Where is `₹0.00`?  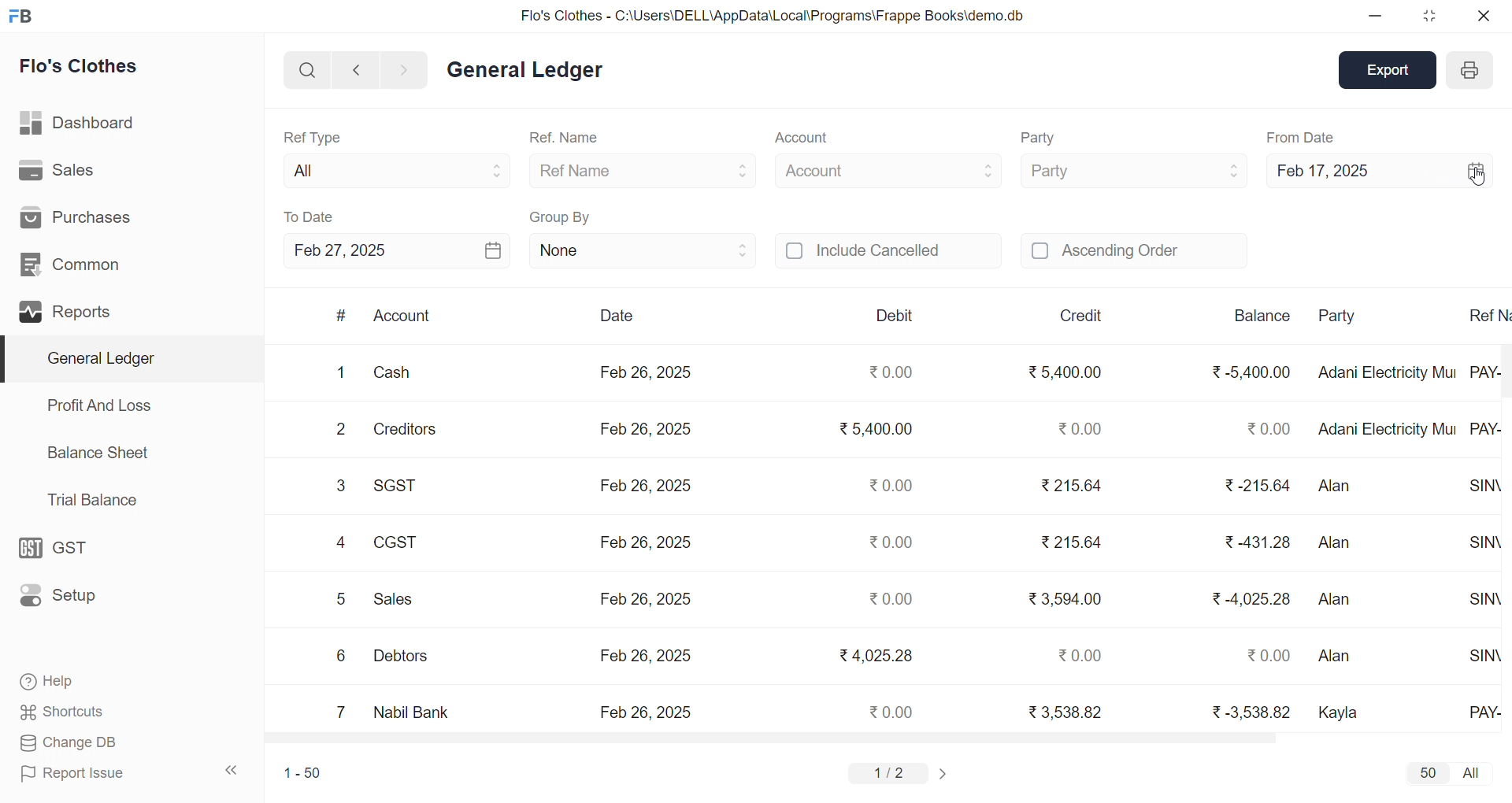
₹0.00 is located at coordinates (892, 711).